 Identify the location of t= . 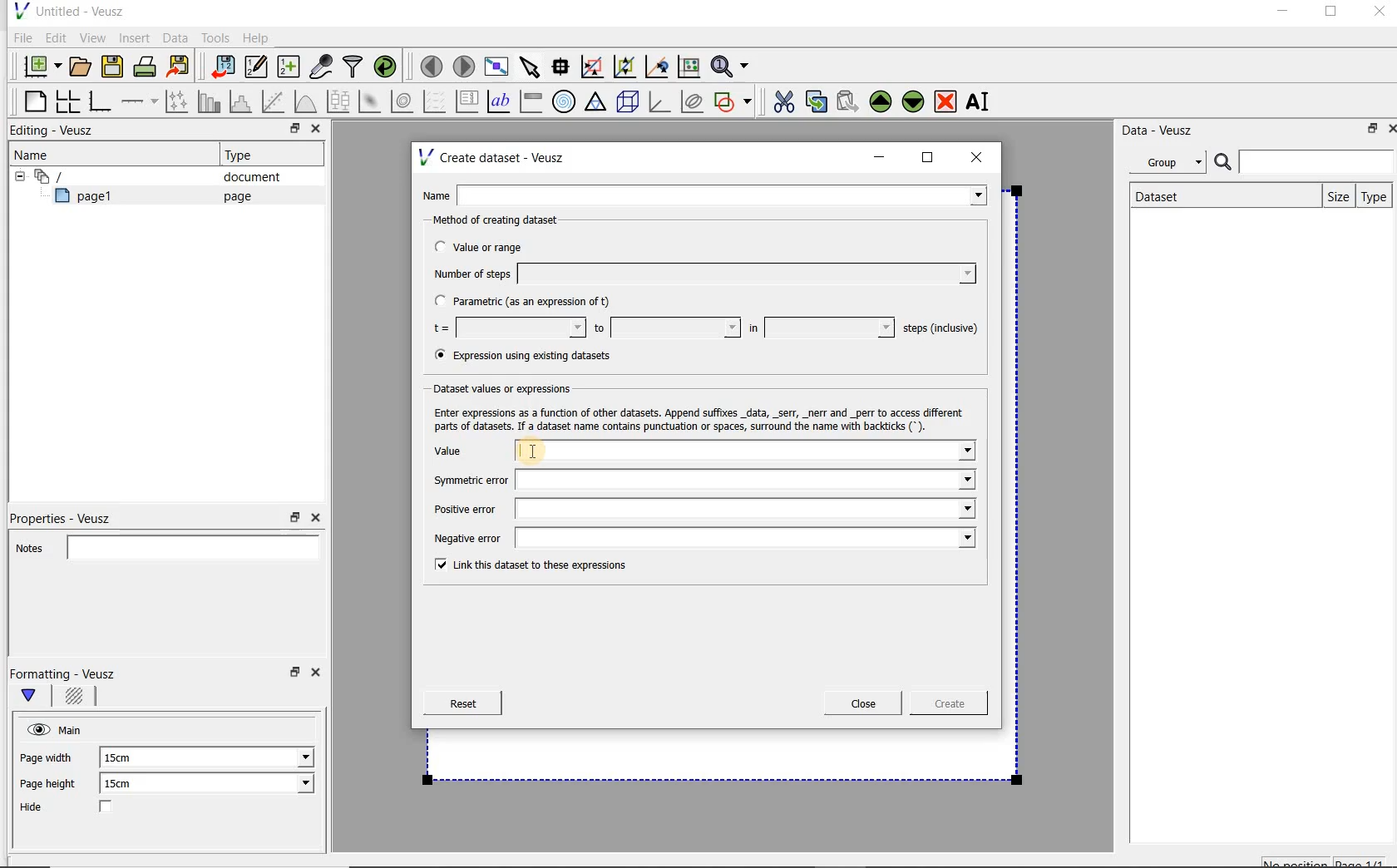
(506, 328).